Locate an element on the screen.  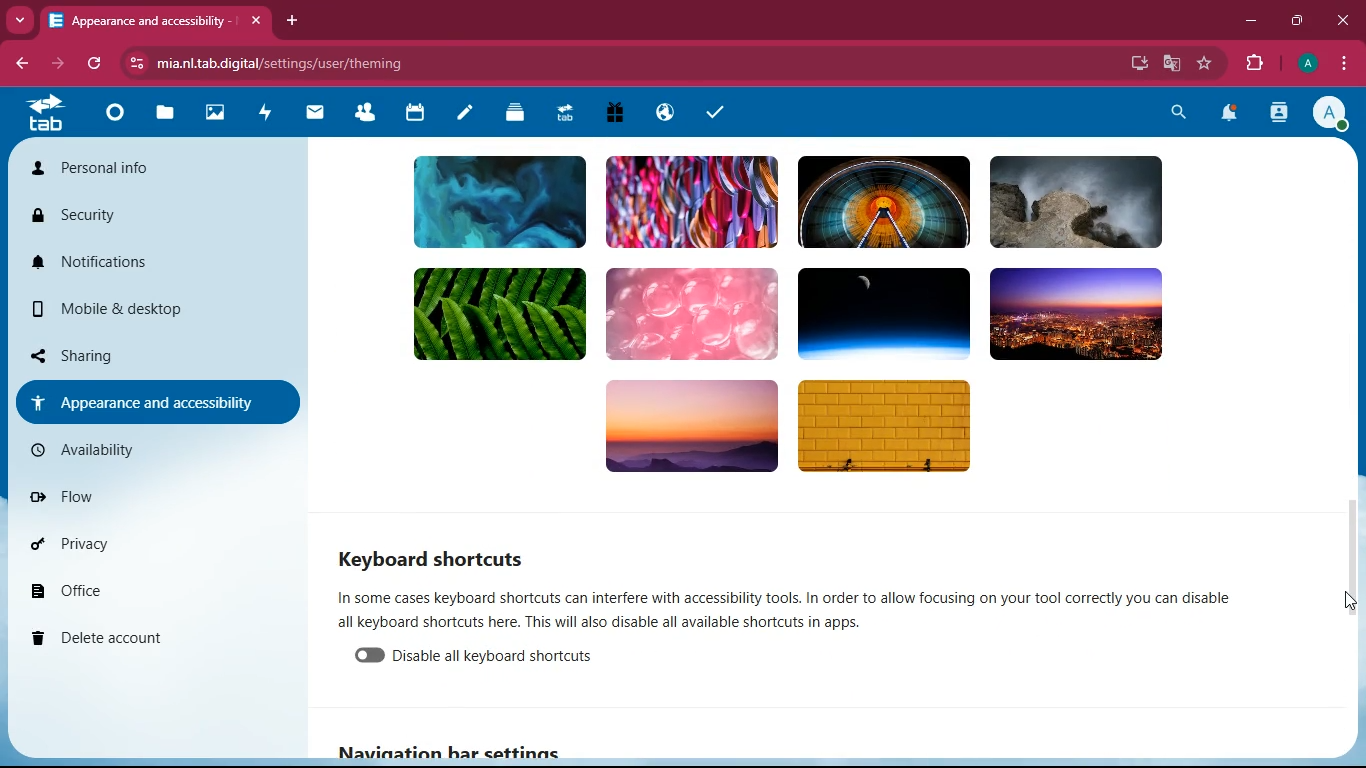
menu is located at coordinates (1341, 62).